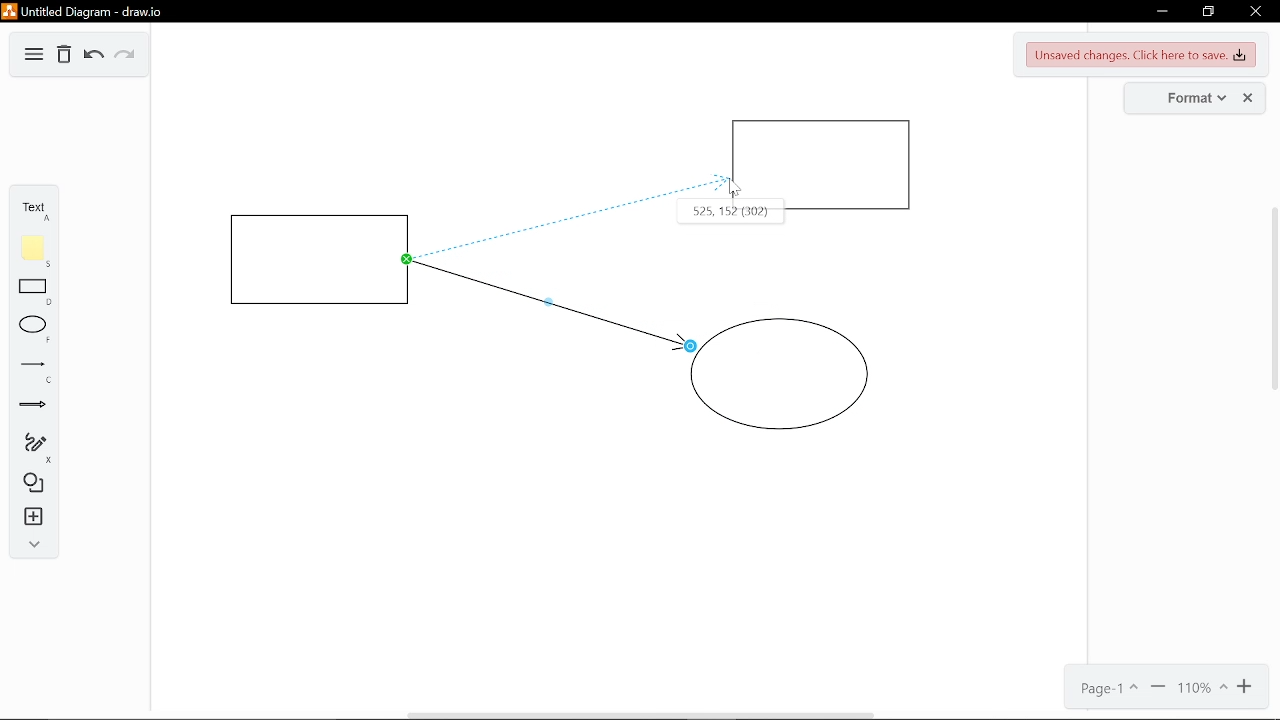  I want to click on Shapes, so click(30, 484).